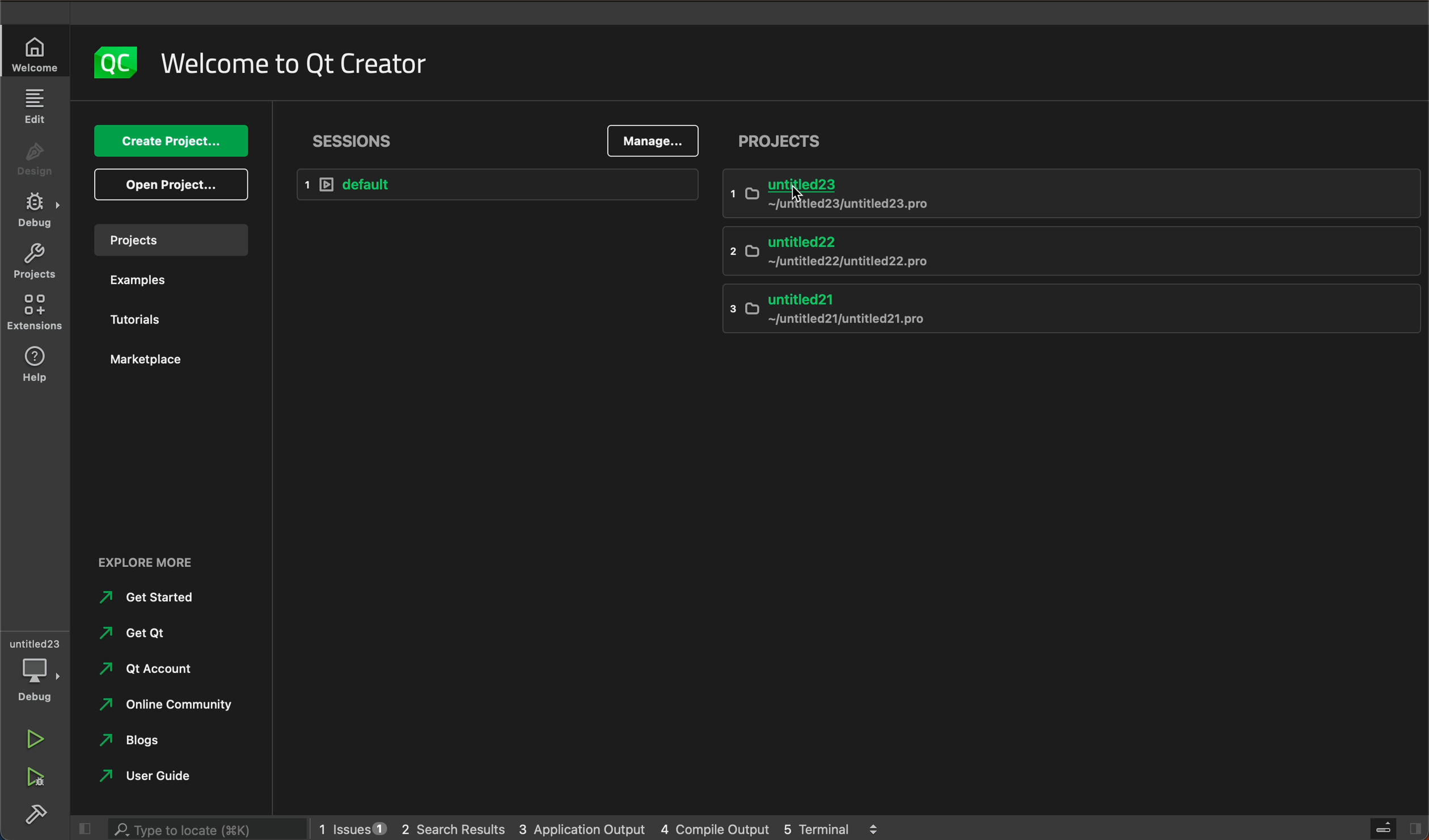 Image resolution: width=1429 pixels, height=840 pixels. Describe the element at coordinates (35, 738) in the screenshot. I see `run` at that location.